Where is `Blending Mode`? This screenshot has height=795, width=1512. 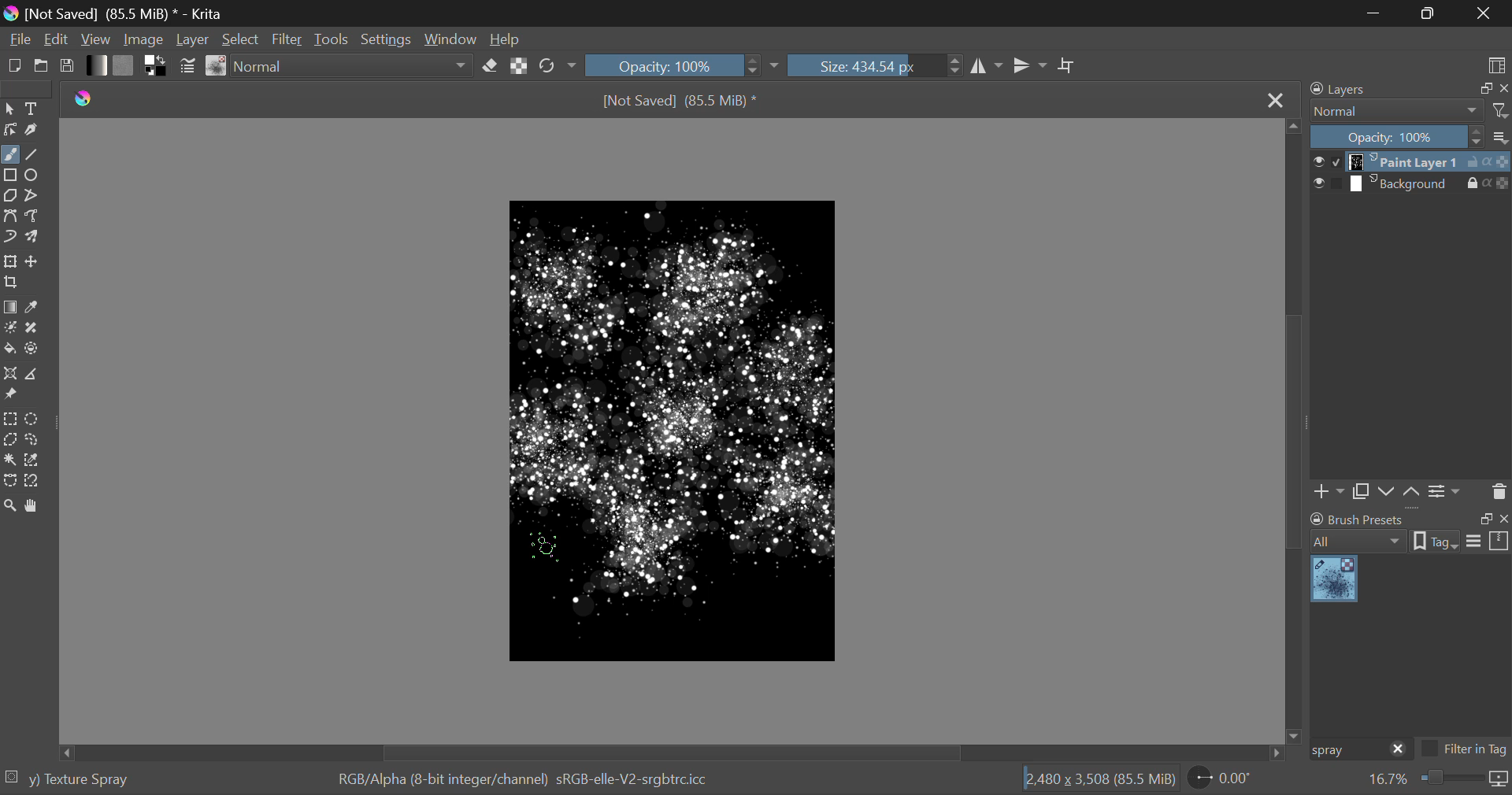
Blending Mode is located at coordinates (354, 66).